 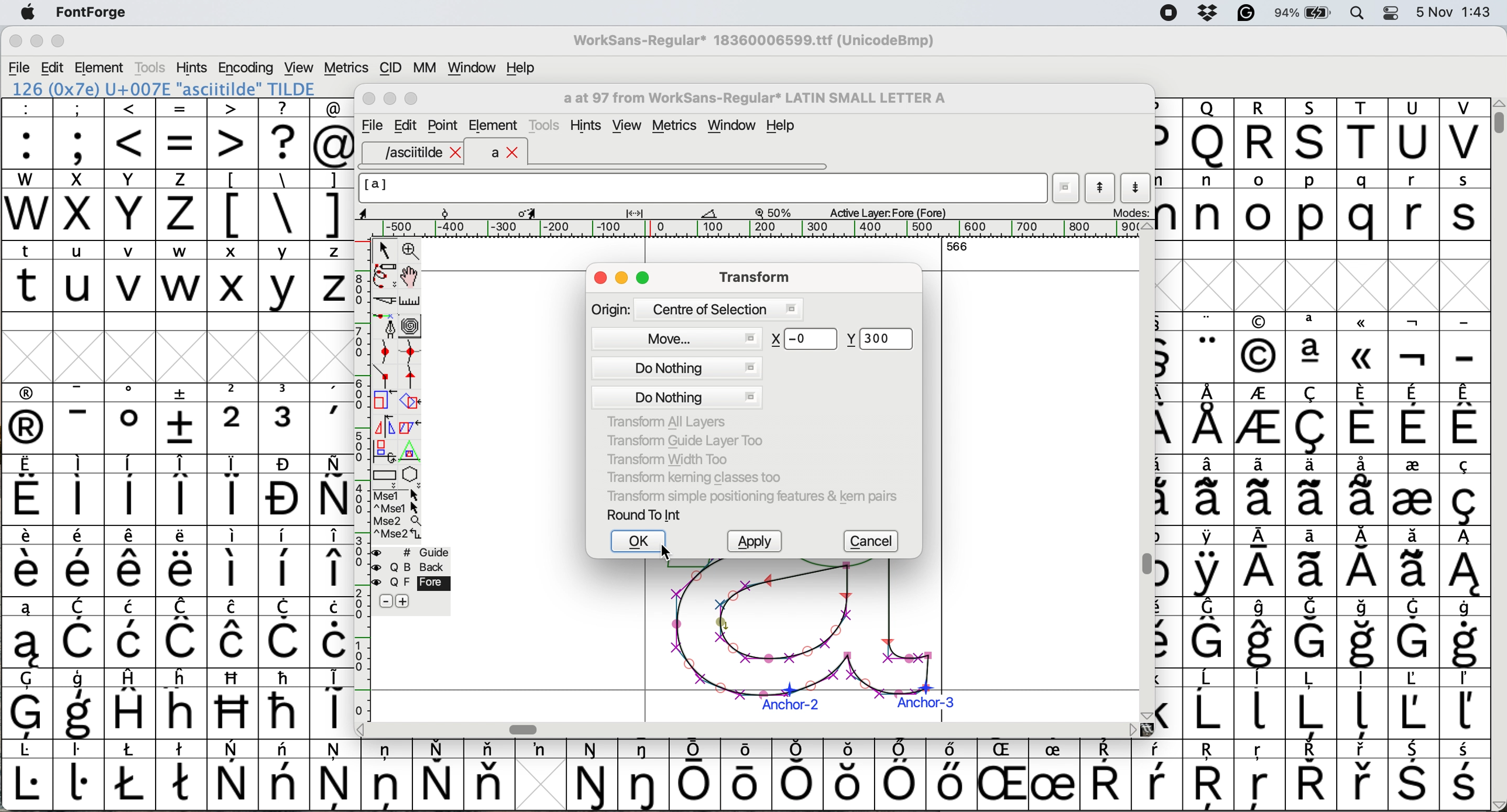 What do you see at coordinates (247, 68) in the screenshot?
I see `encoding` at bounding box center [247, 68].